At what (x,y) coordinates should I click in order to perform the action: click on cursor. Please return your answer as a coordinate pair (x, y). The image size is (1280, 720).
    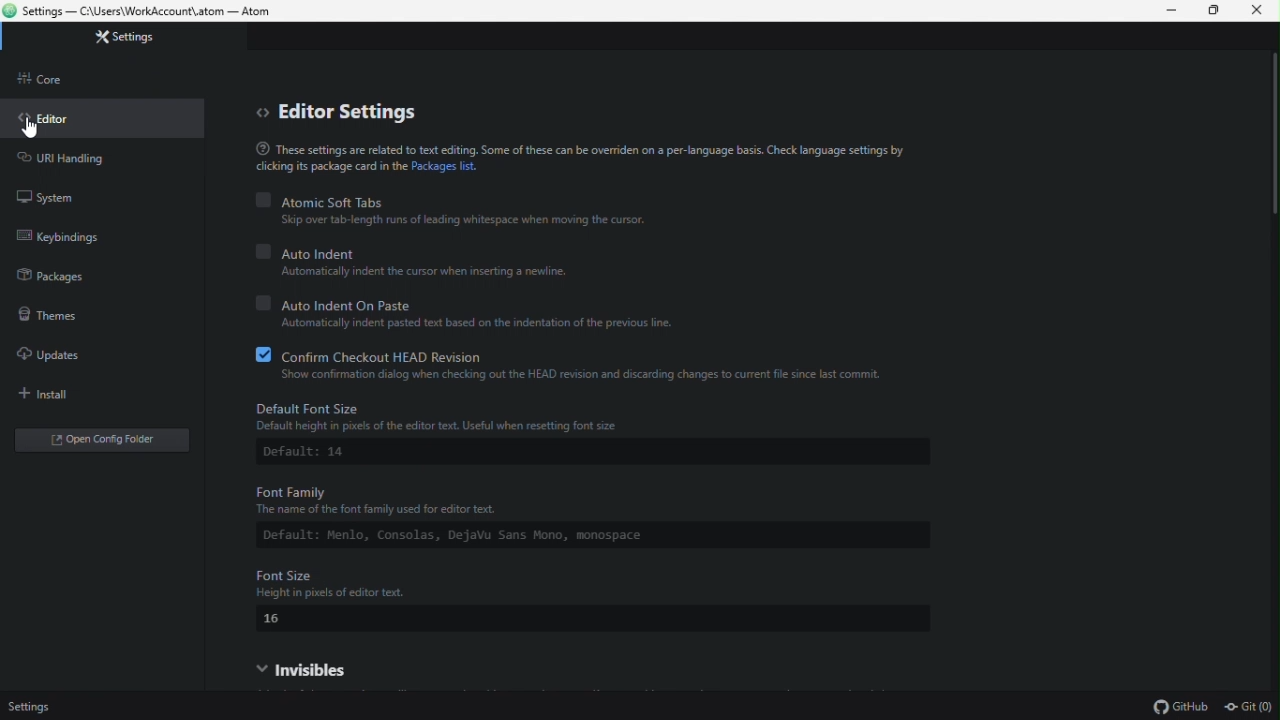
    Looking at the image, I should click on (34, 127).